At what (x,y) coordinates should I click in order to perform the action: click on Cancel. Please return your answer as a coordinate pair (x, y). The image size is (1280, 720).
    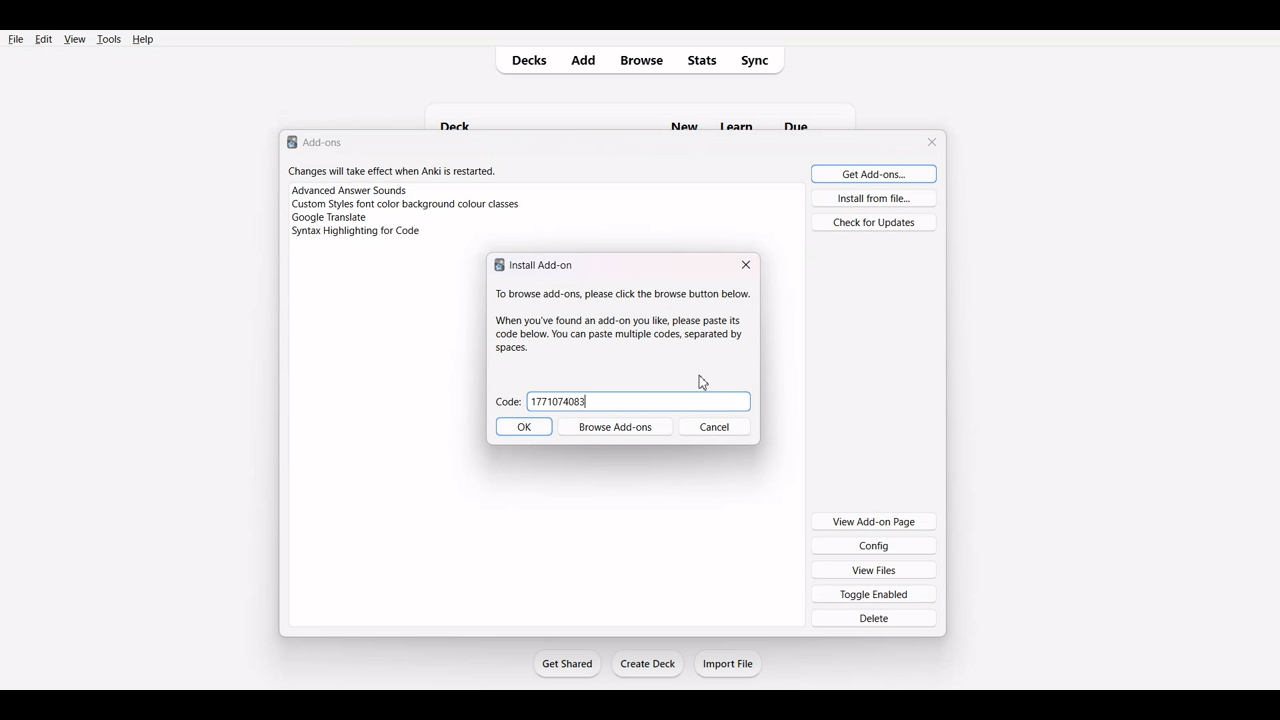
    Looking at the image, I should click on (721, 428).